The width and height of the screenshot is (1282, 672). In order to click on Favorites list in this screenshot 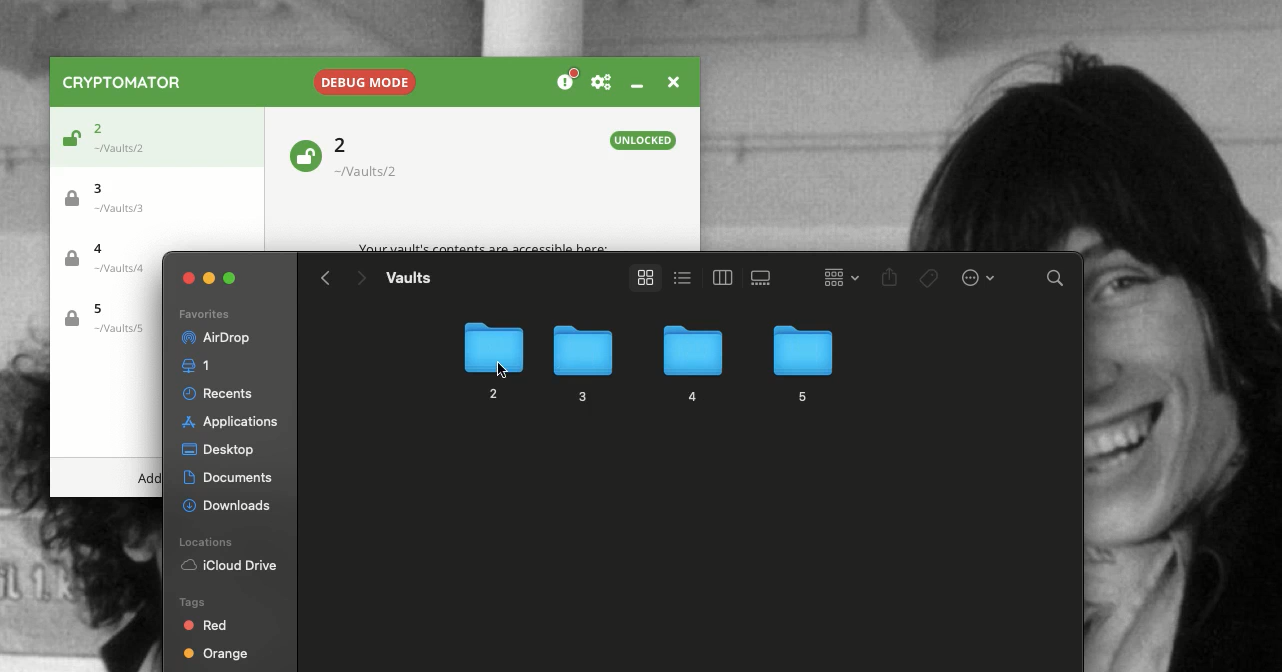, I will do `click(203, 315)`.